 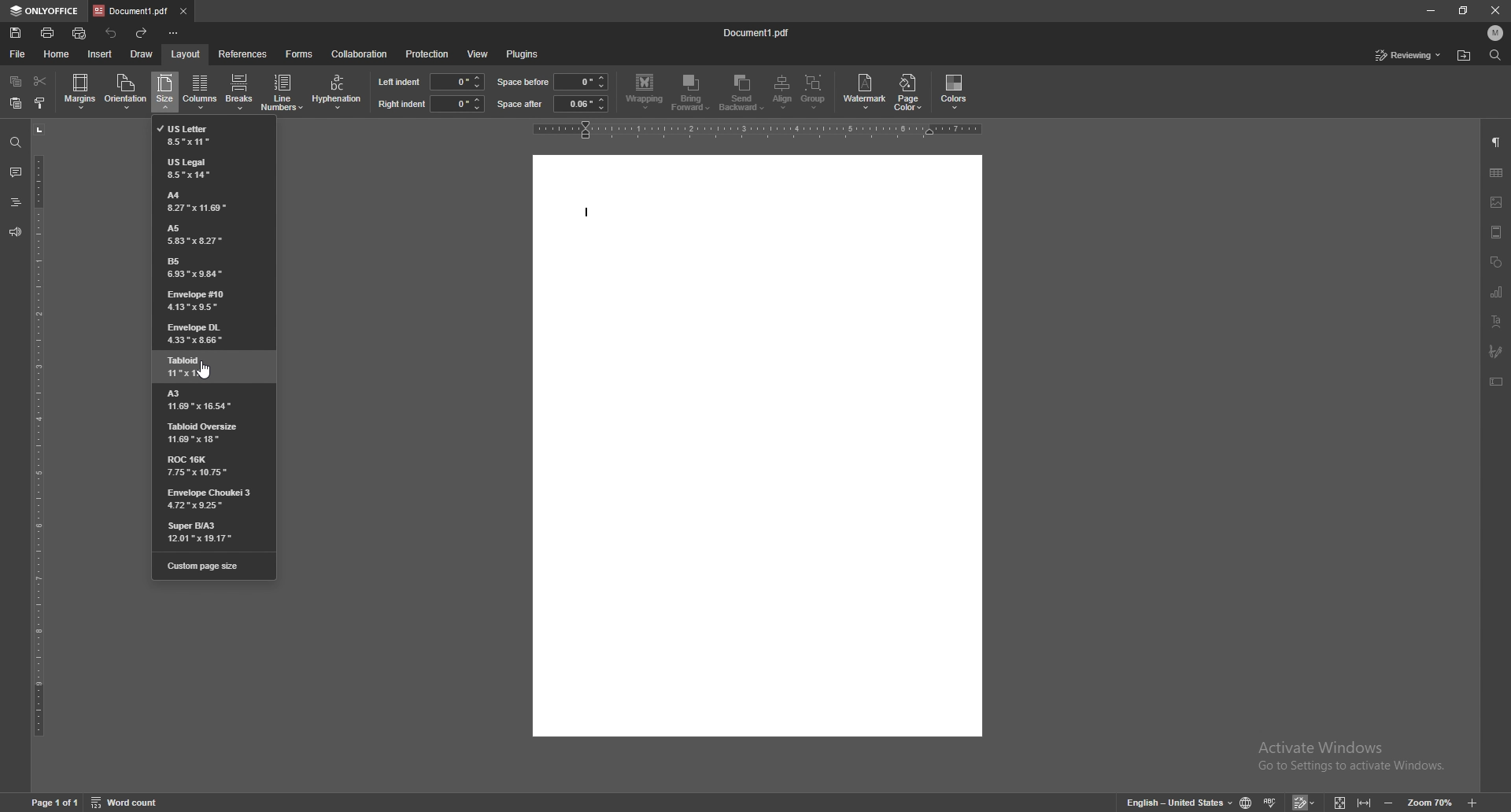 I want to click on view, so click(x=477, y=55).